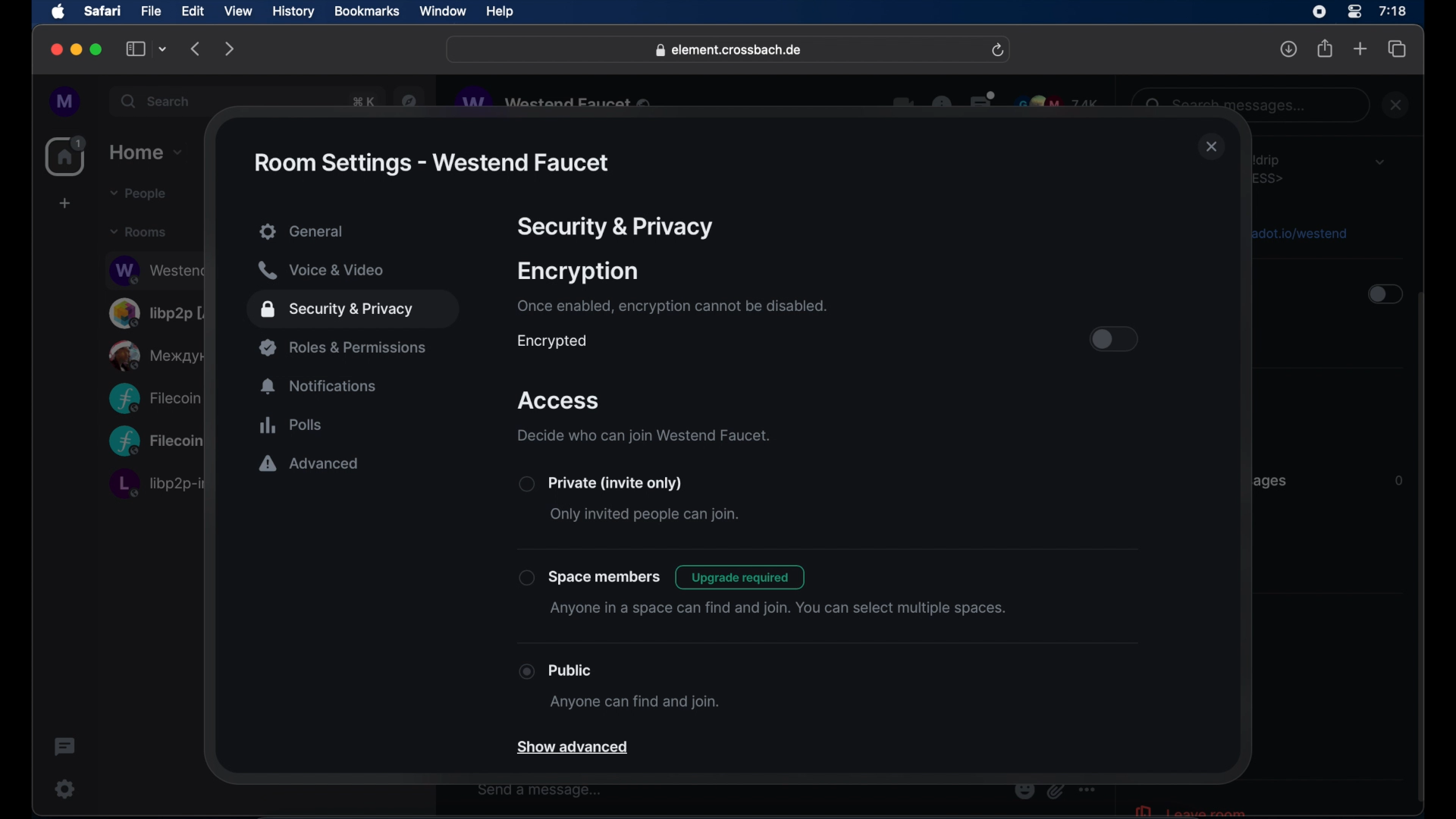 This screenshot has width=1456, height=819. Describe the element at coordinates (430, 163) in the screenshot. I see `rom settings - westend faucet` at that location.